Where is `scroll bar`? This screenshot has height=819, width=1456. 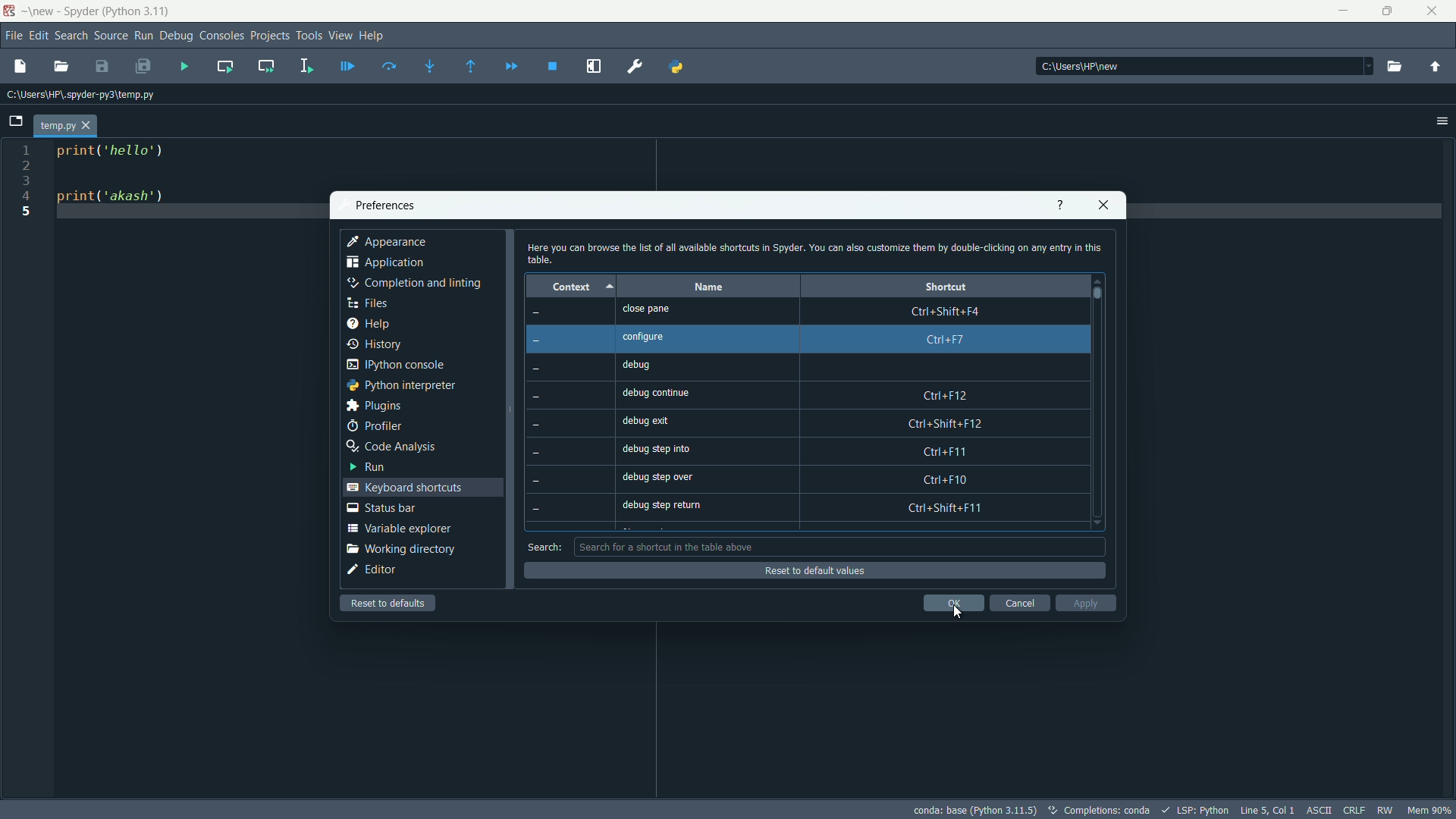
scroll bar is located at coordinates (1095, 293).